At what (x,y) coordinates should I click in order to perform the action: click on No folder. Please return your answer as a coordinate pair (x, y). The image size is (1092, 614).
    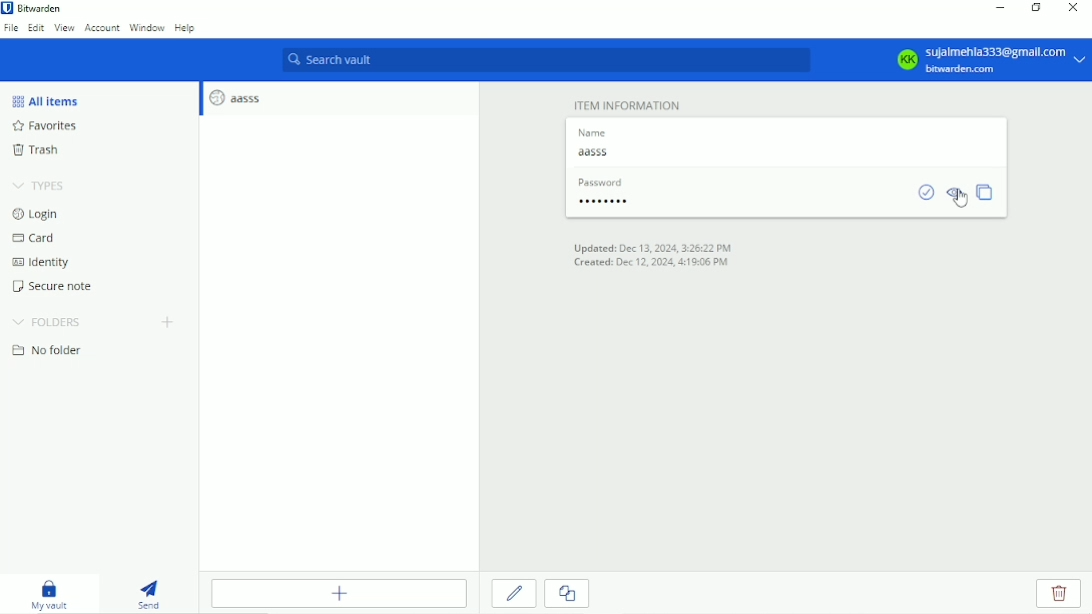
    Looking at the image, I should click on (45, 354).